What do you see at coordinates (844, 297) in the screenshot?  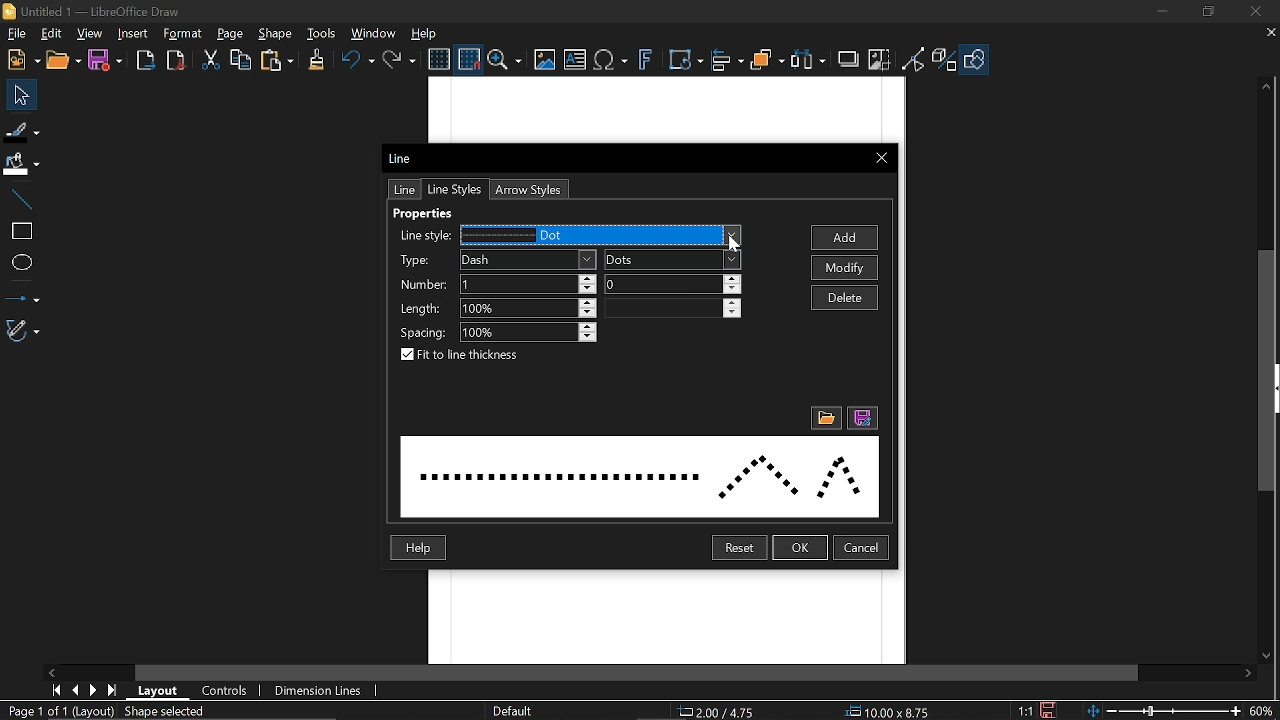 I see `Delete` at bounding box center [844, 297].